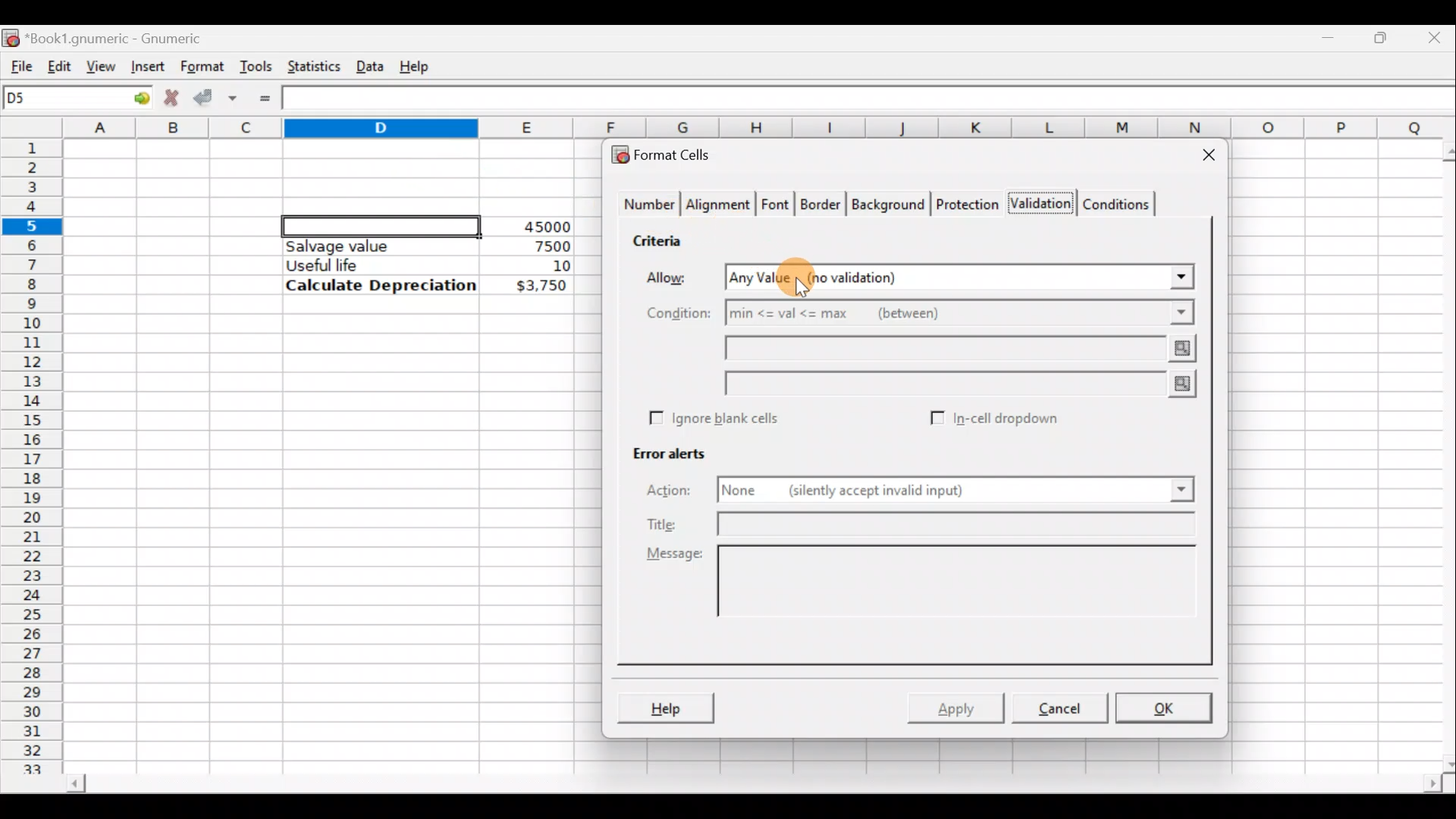 This screenshot has height=819, width=1456. Describe the element at coordinates (822, 208) in the screenshot. I see `Border` at that location.